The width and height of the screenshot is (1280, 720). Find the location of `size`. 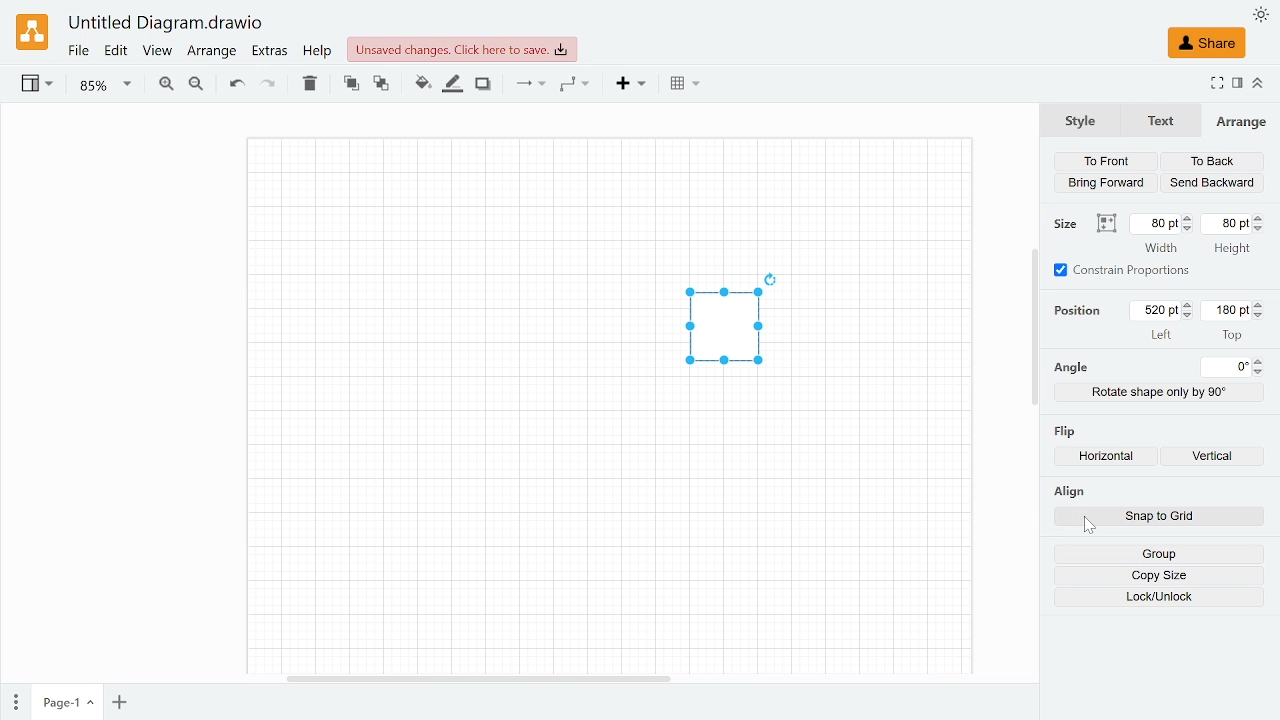

size is located at coordinates (1068, 224).